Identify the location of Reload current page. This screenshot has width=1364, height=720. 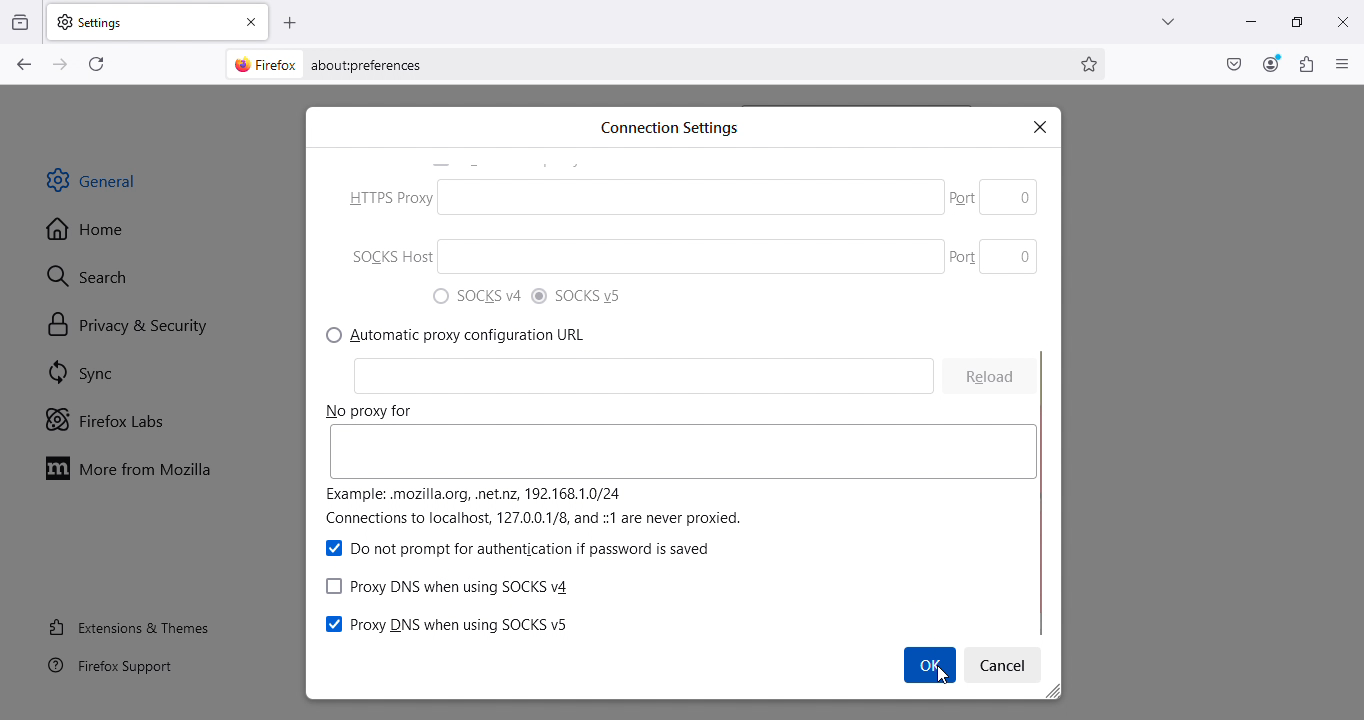
(99, 62).